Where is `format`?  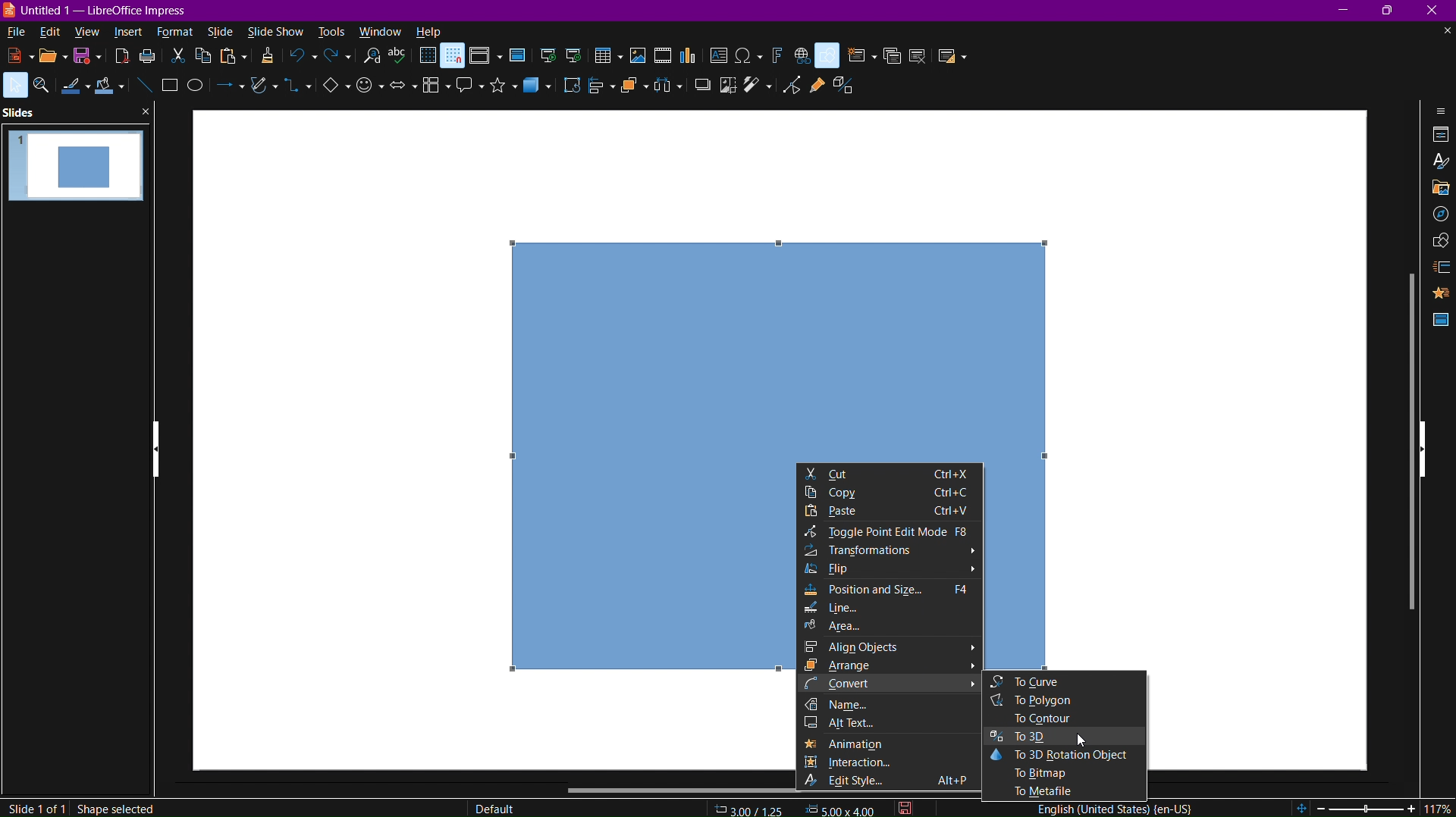 format is located at coordinates (179, 32).